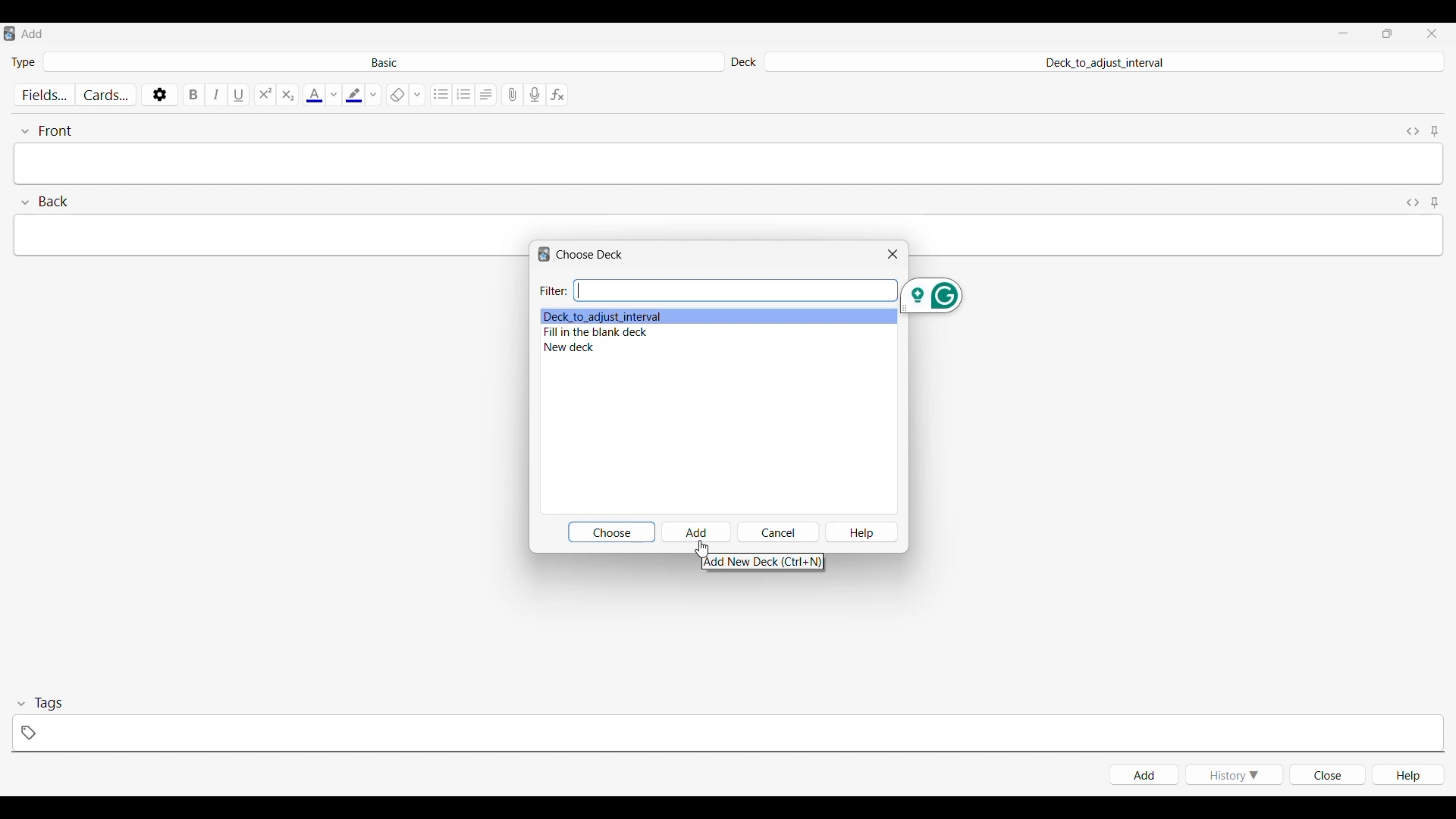 The height and width of the screenshot is (819, 1456). What do you see at coordinates (1434, 203) in the screenshot?
I see `Toggle sticky` at bounding box center [1434, 203].